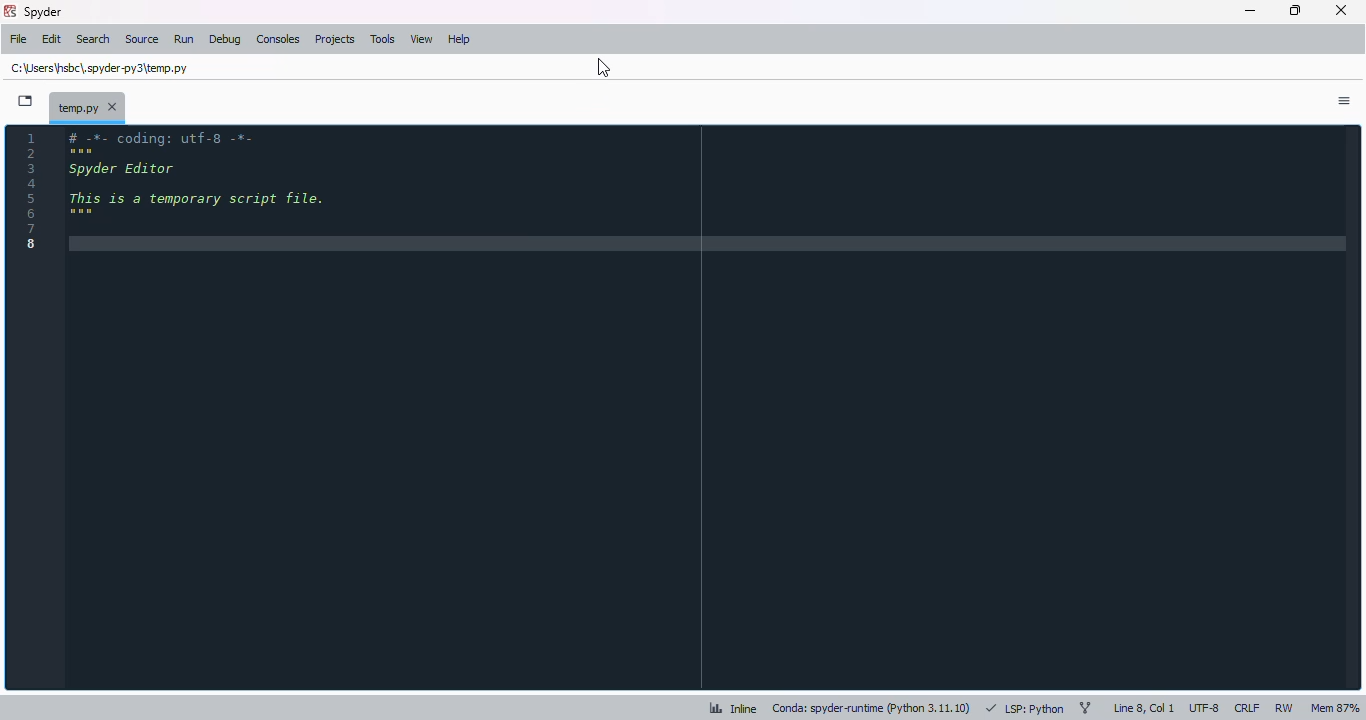  Describe the element at coordinates (1085, 708) in the screenshot. I see `git branch` at that location.